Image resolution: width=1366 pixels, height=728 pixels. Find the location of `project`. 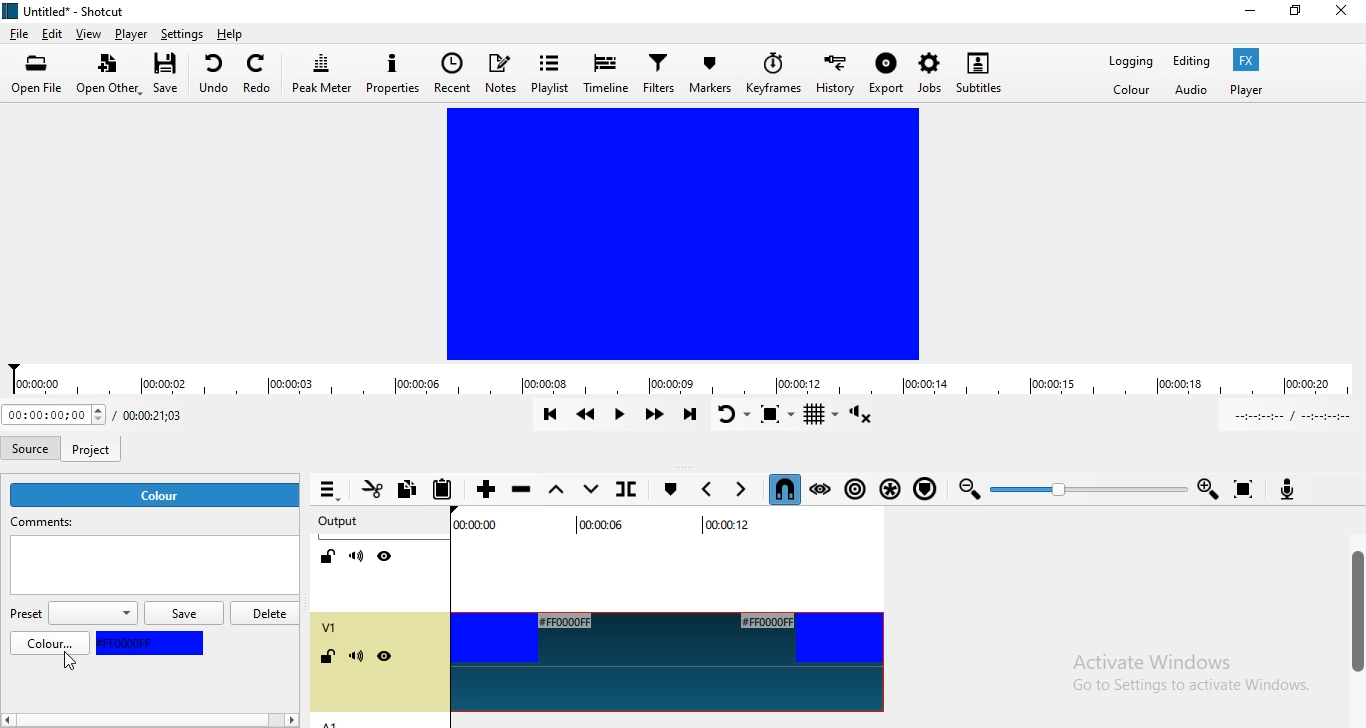

project is located at coordinates (94, 445).